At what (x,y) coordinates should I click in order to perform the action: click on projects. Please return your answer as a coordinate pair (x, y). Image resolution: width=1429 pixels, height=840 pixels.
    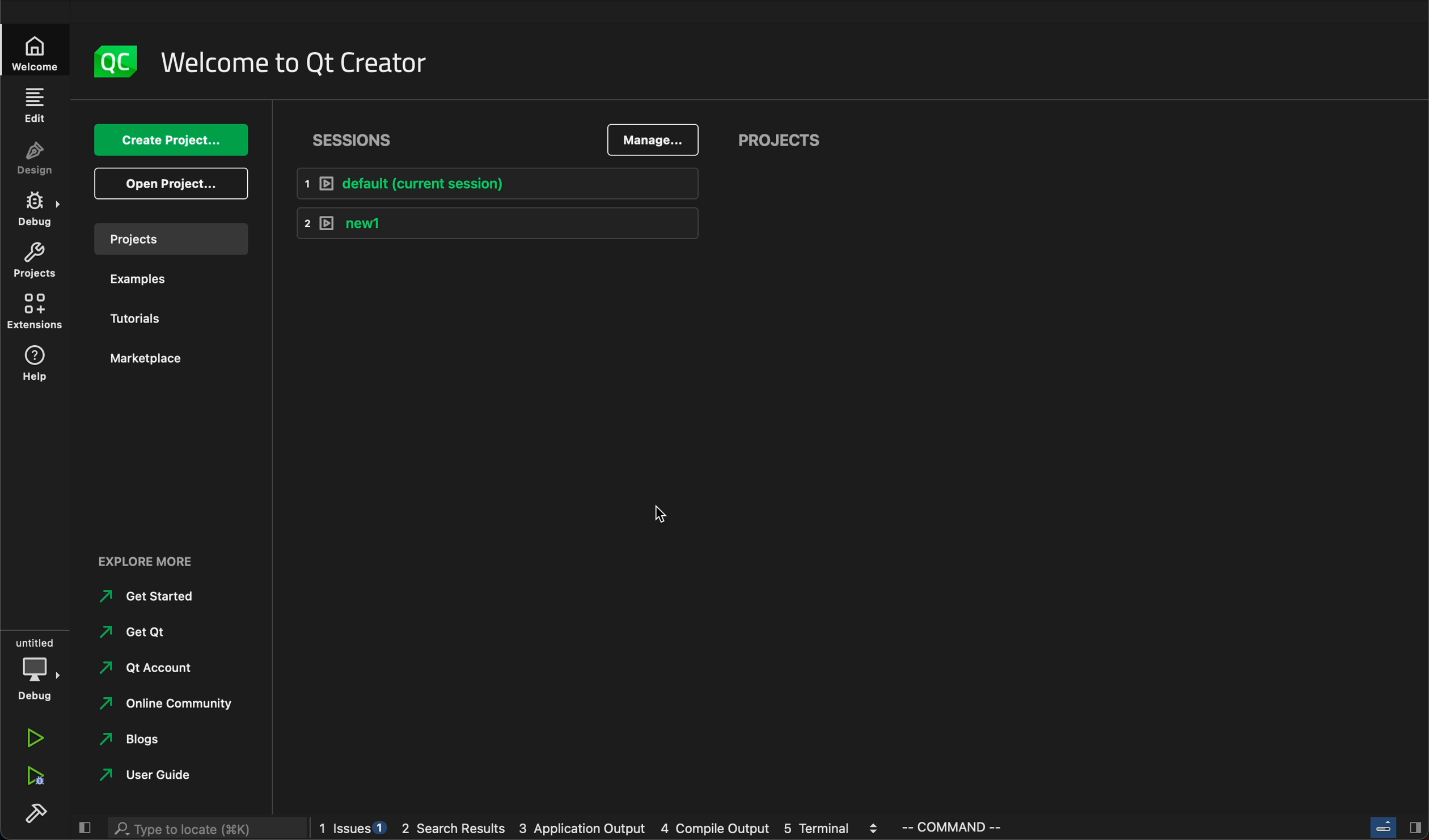
    Looking at the image, I should click on (789, 141).